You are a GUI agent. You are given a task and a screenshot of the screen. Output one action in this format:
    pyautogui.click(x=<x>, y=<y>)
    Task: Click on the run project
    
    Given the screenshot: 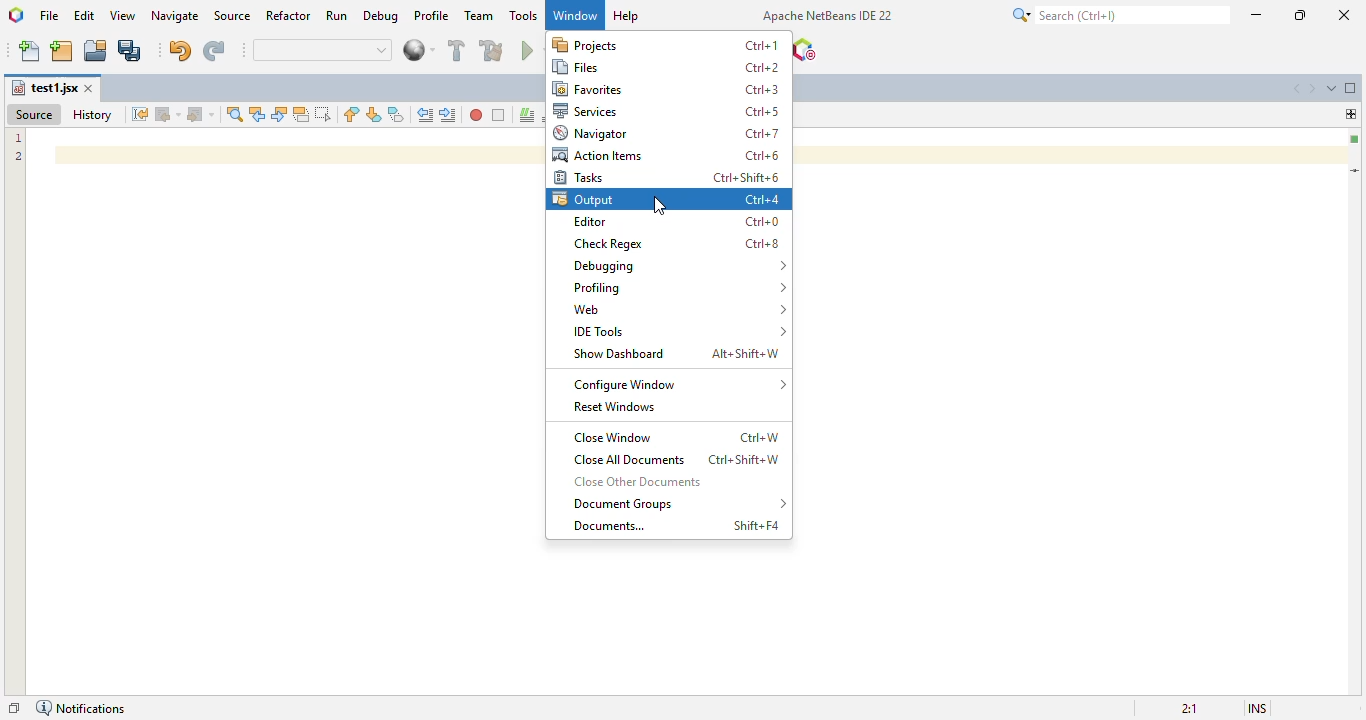 What is the action you would take?
    pyautogui.click(x=531, y=48)
    